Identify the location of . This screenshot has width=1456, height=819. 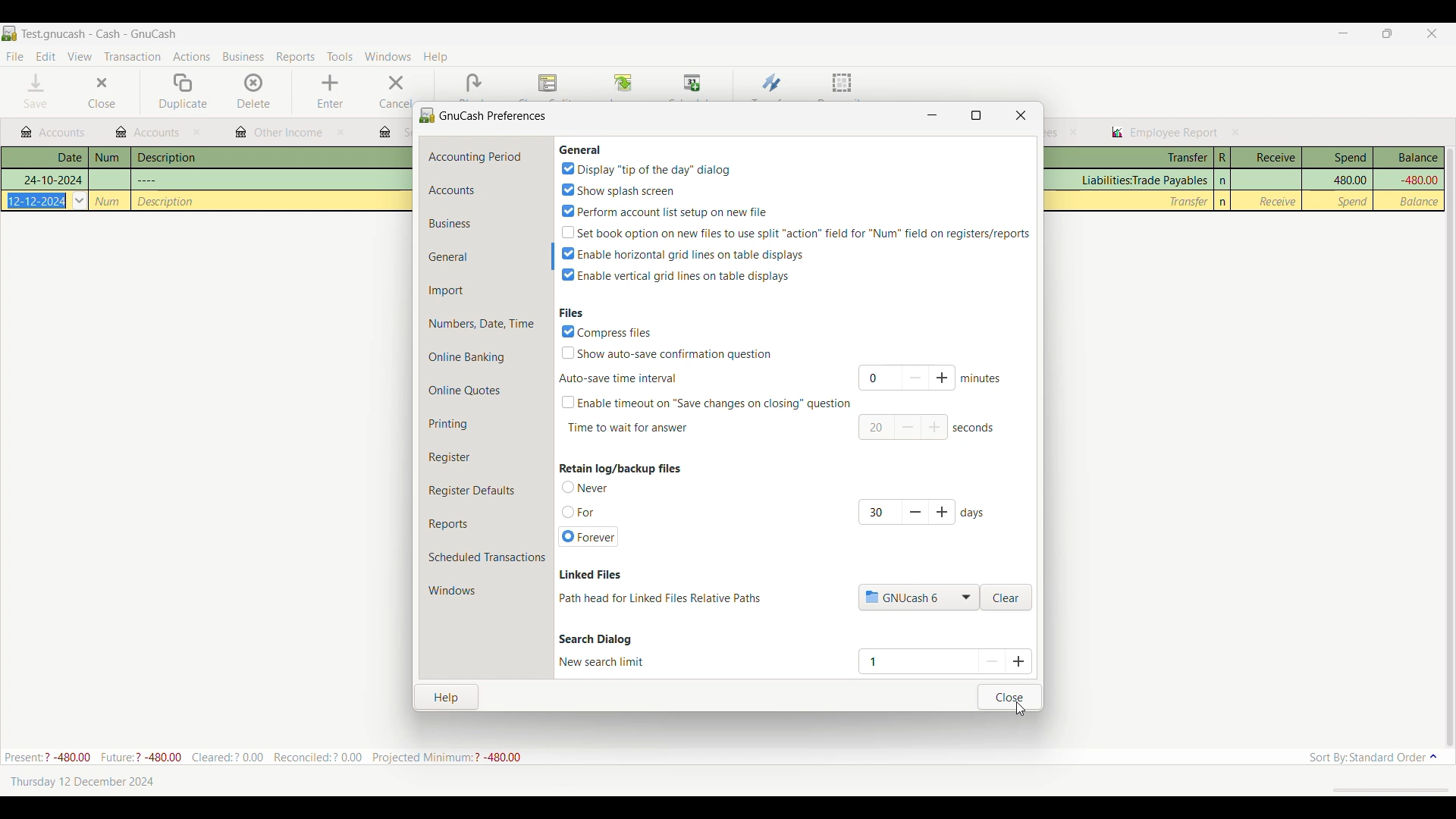
(148, 179).